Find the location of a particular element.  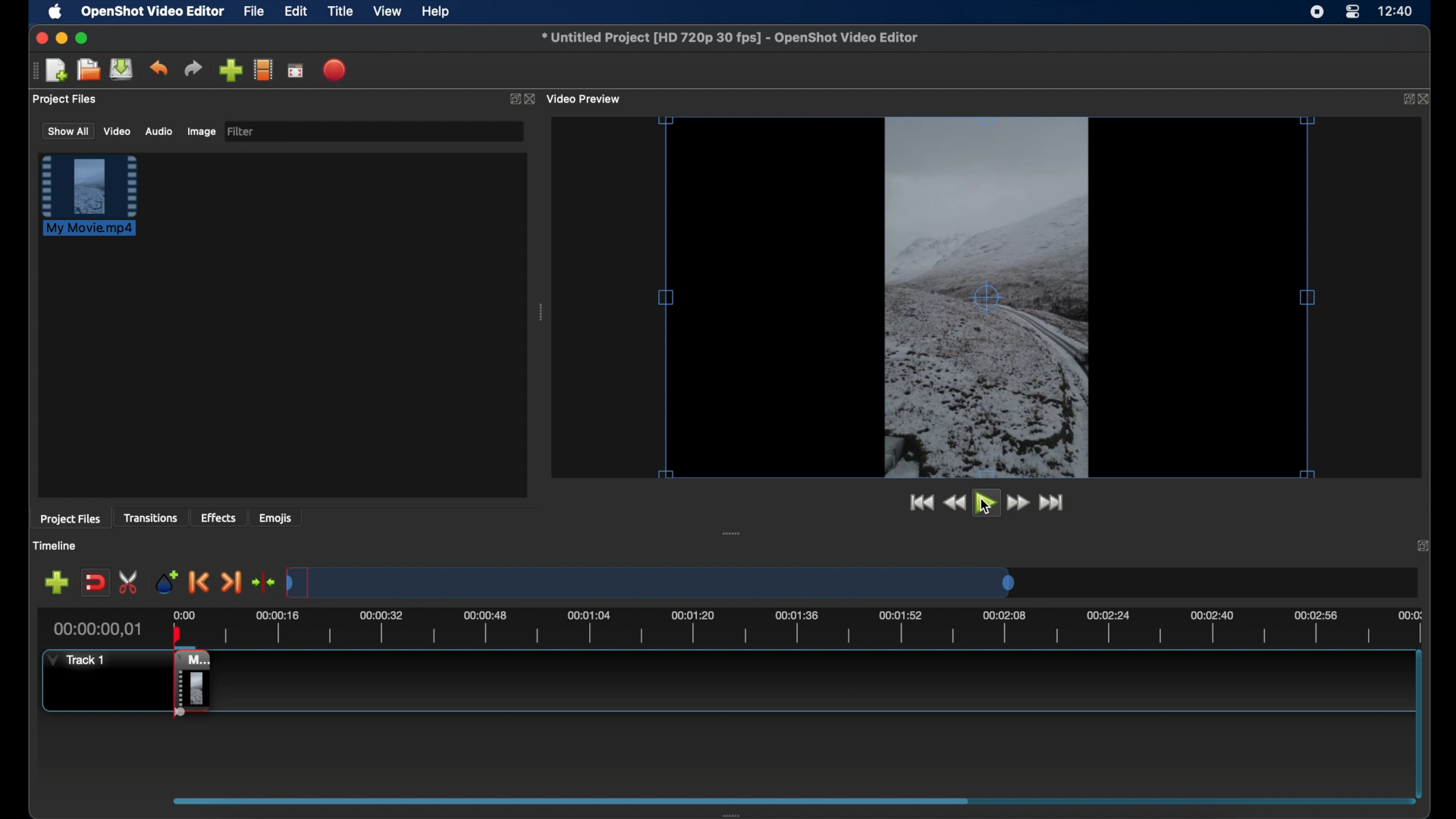

effects is located at coordinates (218, 517).